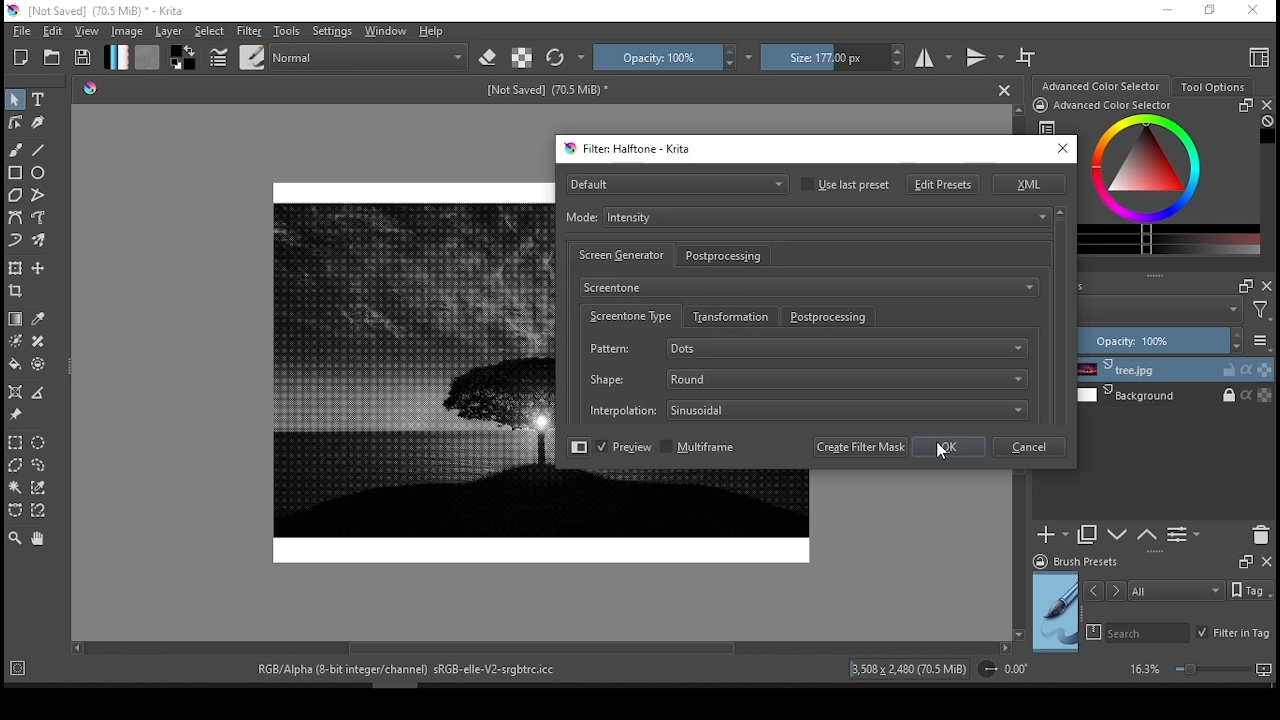  What do you see at coordinates (1255, 56) in the screenshot?
I see `choose workspace` at bounding box center [1255, 56].